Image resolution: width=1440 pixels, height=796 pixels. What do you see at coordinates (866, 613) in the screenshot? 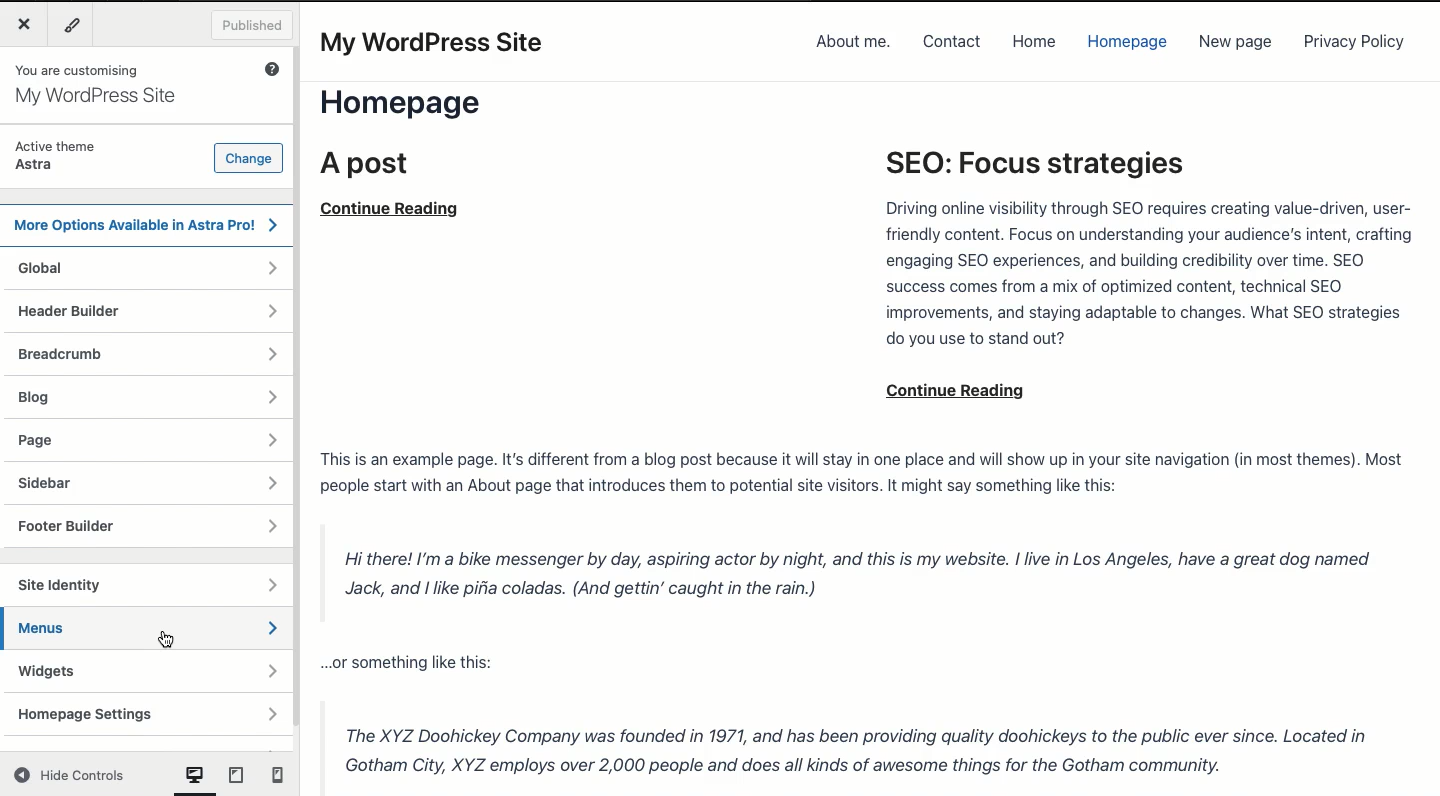
I see `Post content` at bounding box center [866, 613].